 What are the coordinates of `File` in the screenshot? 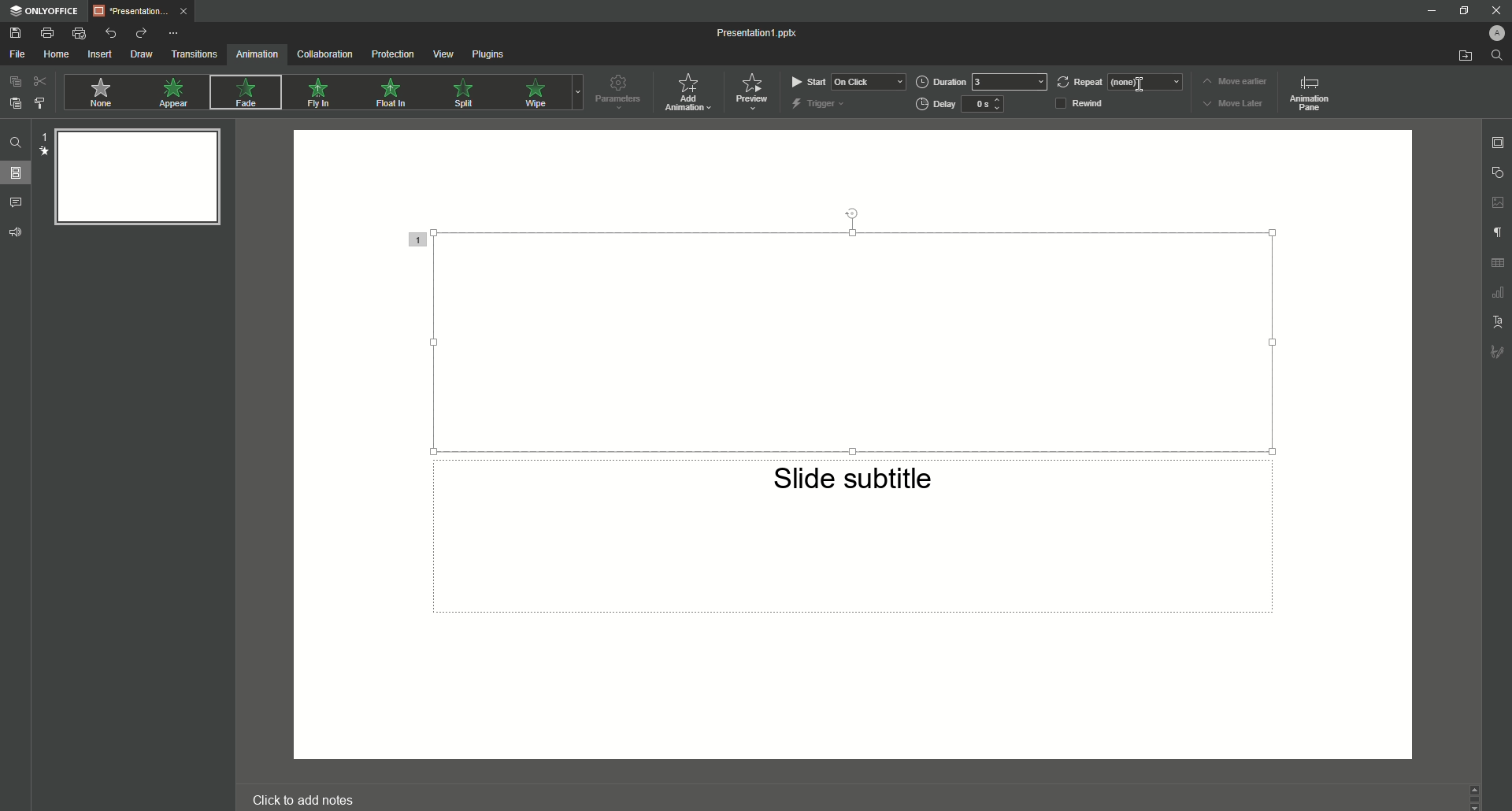 It's located at (19, 55).